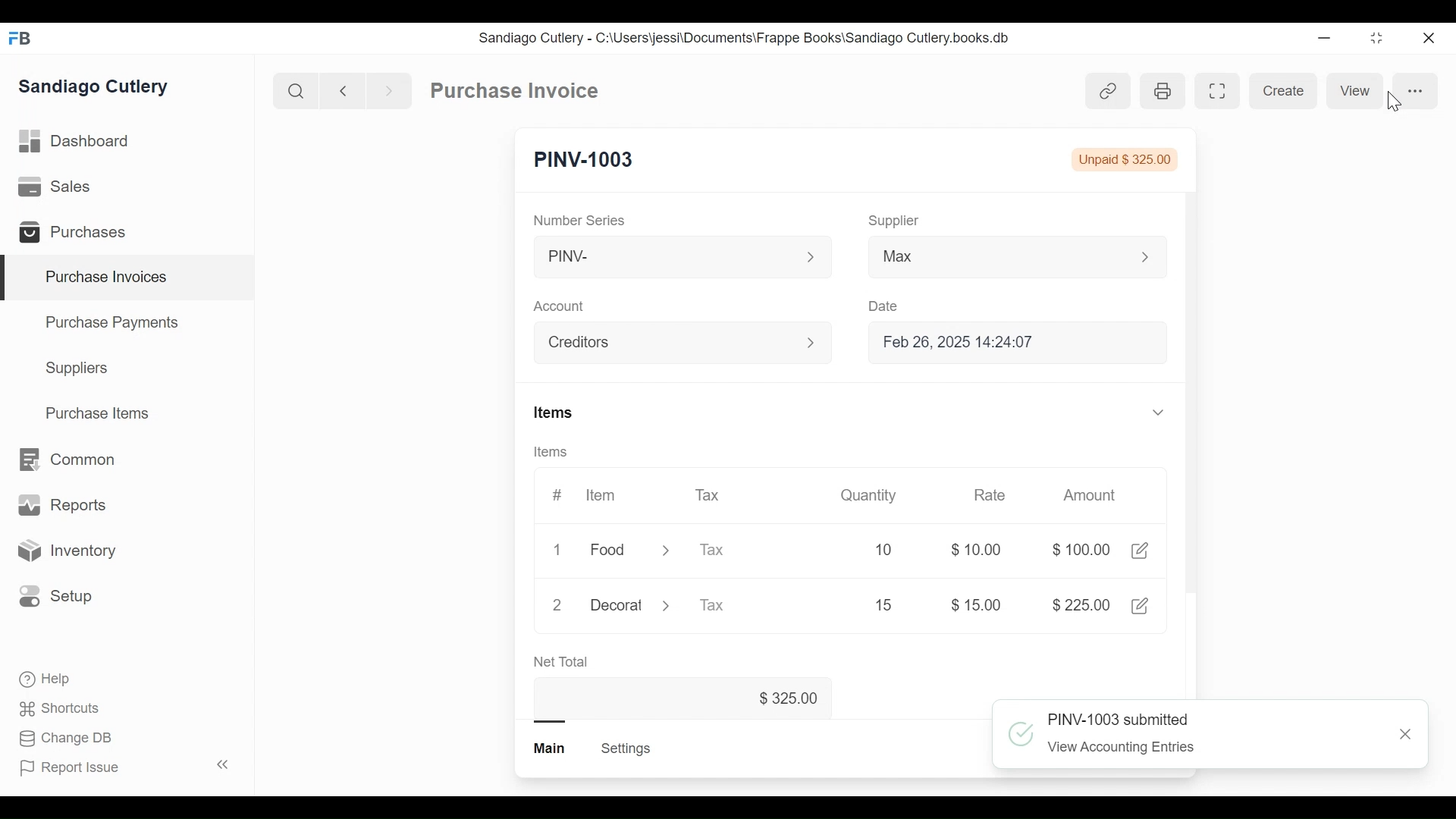 The width and height of the screenshot is (1456, 819). Describe the element at coordinates (124, 767) in the screenshot. I see `Report Issue` at that location.